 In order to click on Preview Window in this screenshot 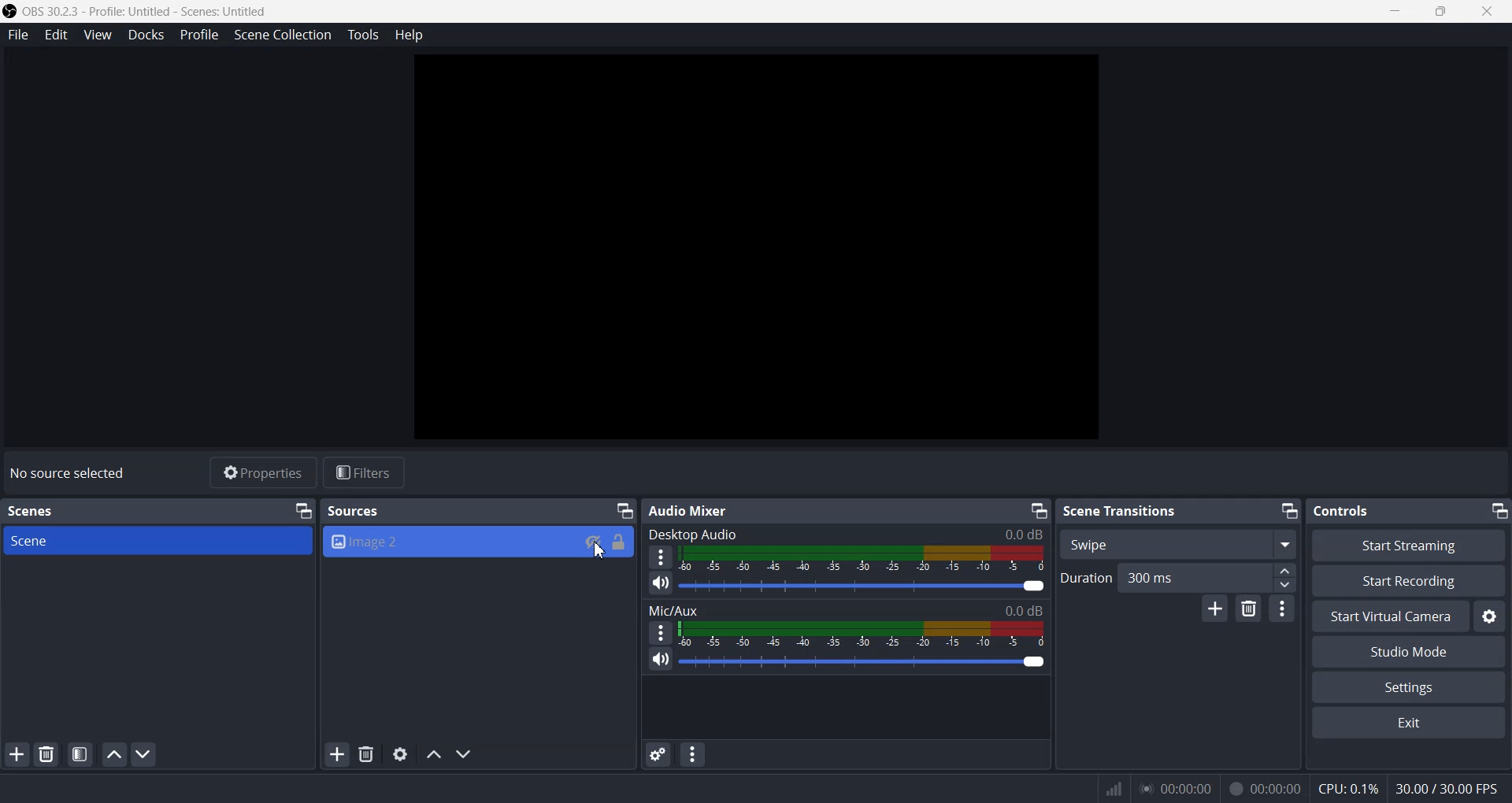, I will do `click(758, 246)`.